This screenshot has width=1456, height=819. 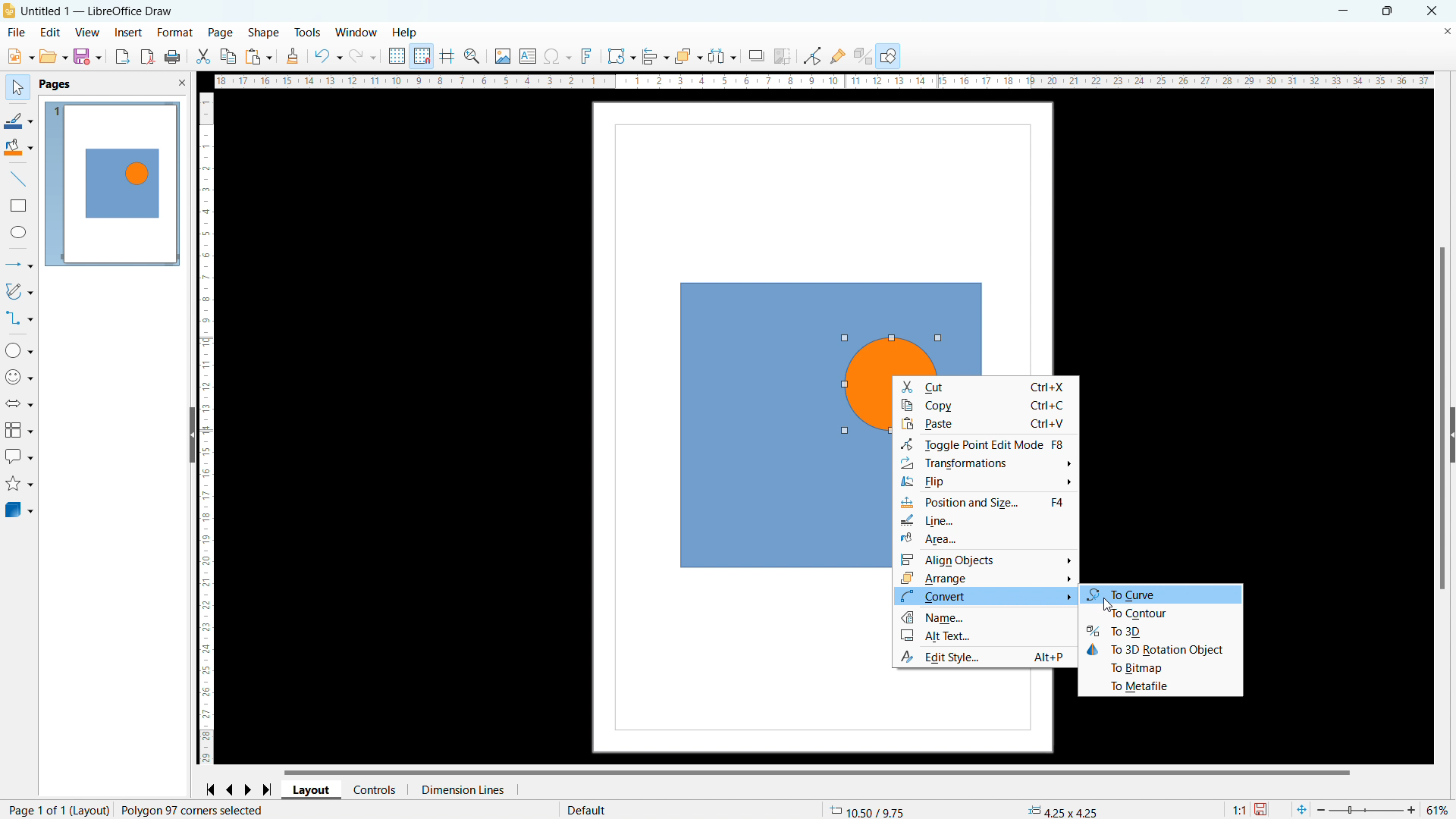 I want to click on redo, so click(x=362, y=55).